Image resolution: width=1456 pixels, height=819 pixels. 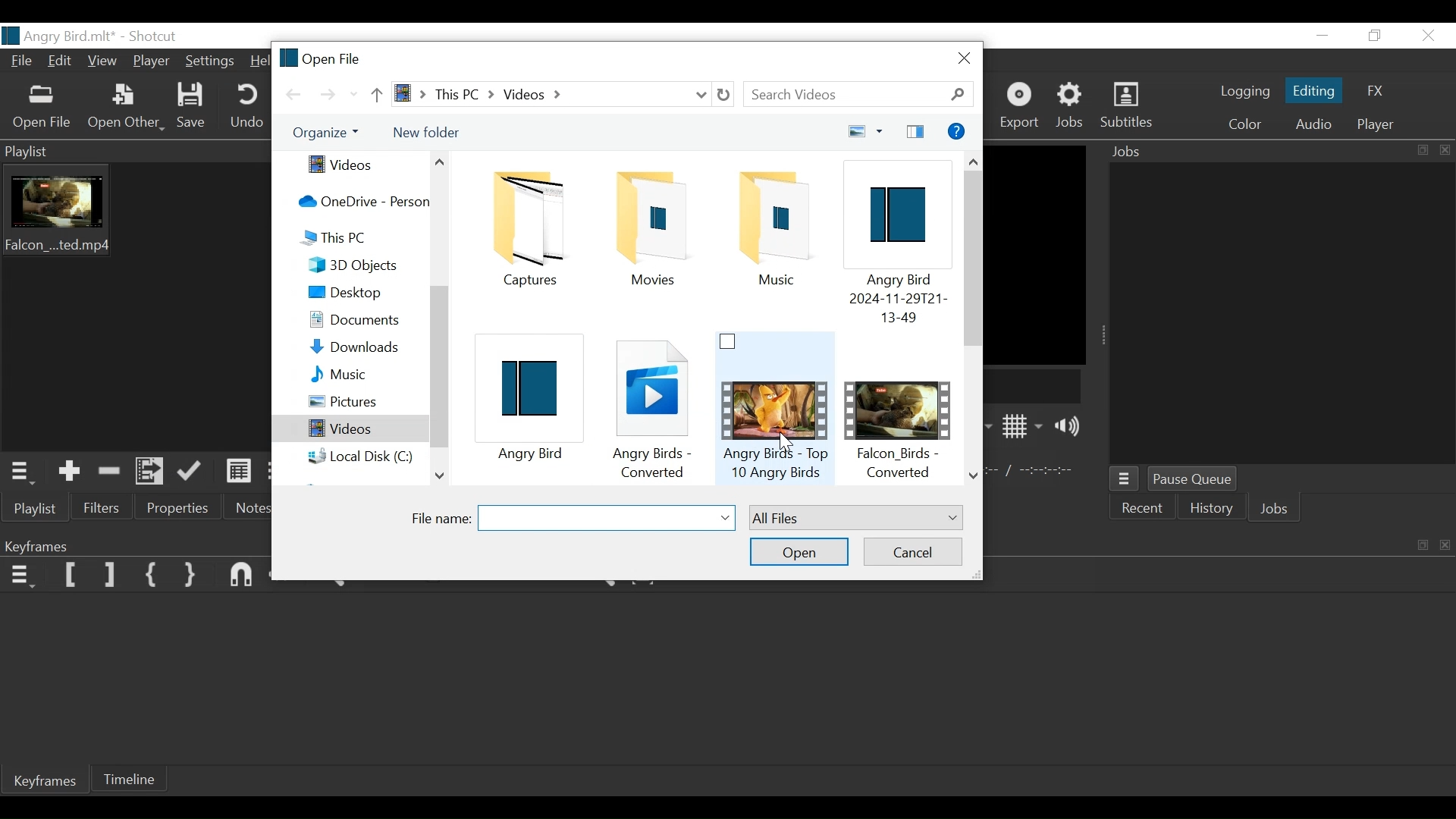 What do you see at coordinates (974, 160) in the screenshot?
I see `Scroll up` at bounding box center [974, 160].